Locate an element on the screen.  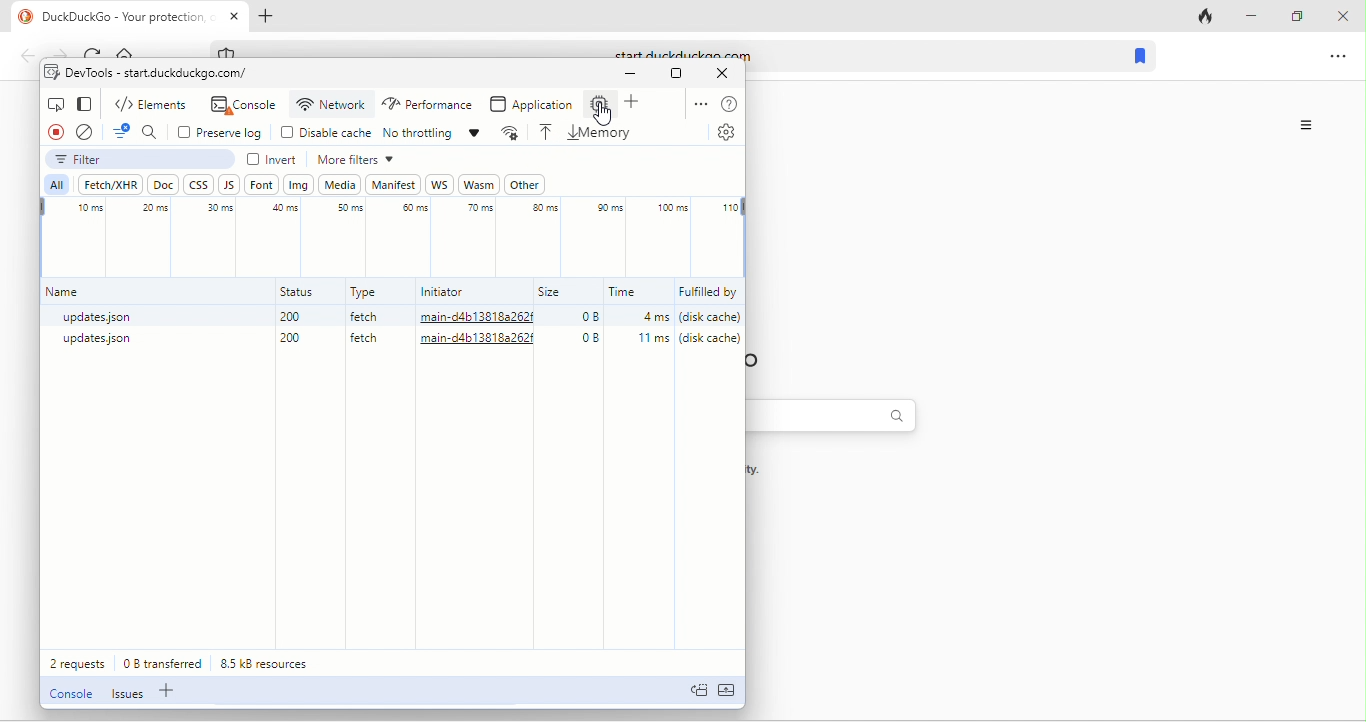
fetch is located at coordinates (372, 315).